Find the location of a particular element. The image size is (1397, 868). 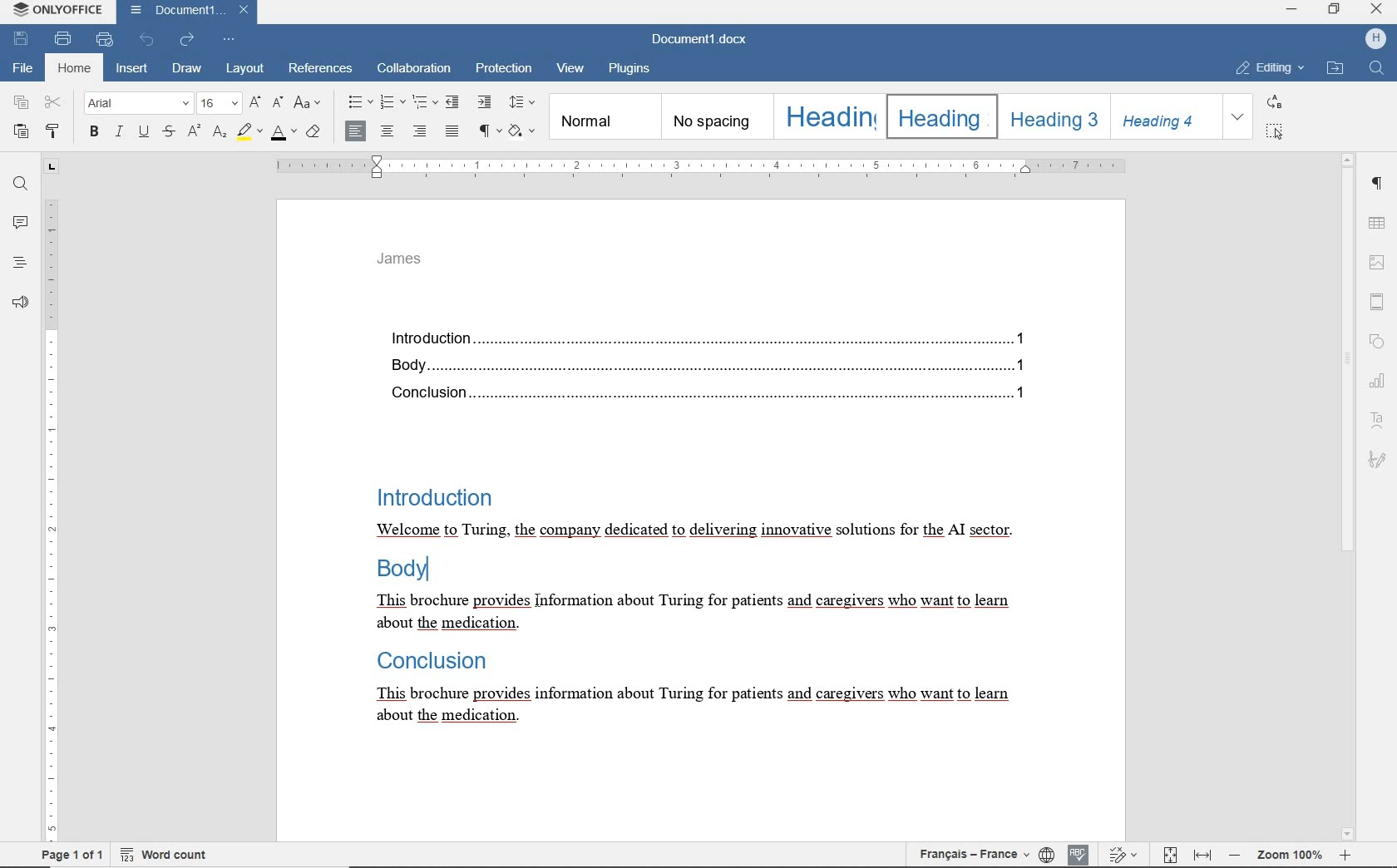

Conclusion......1 is located at coordinates (702, 394).